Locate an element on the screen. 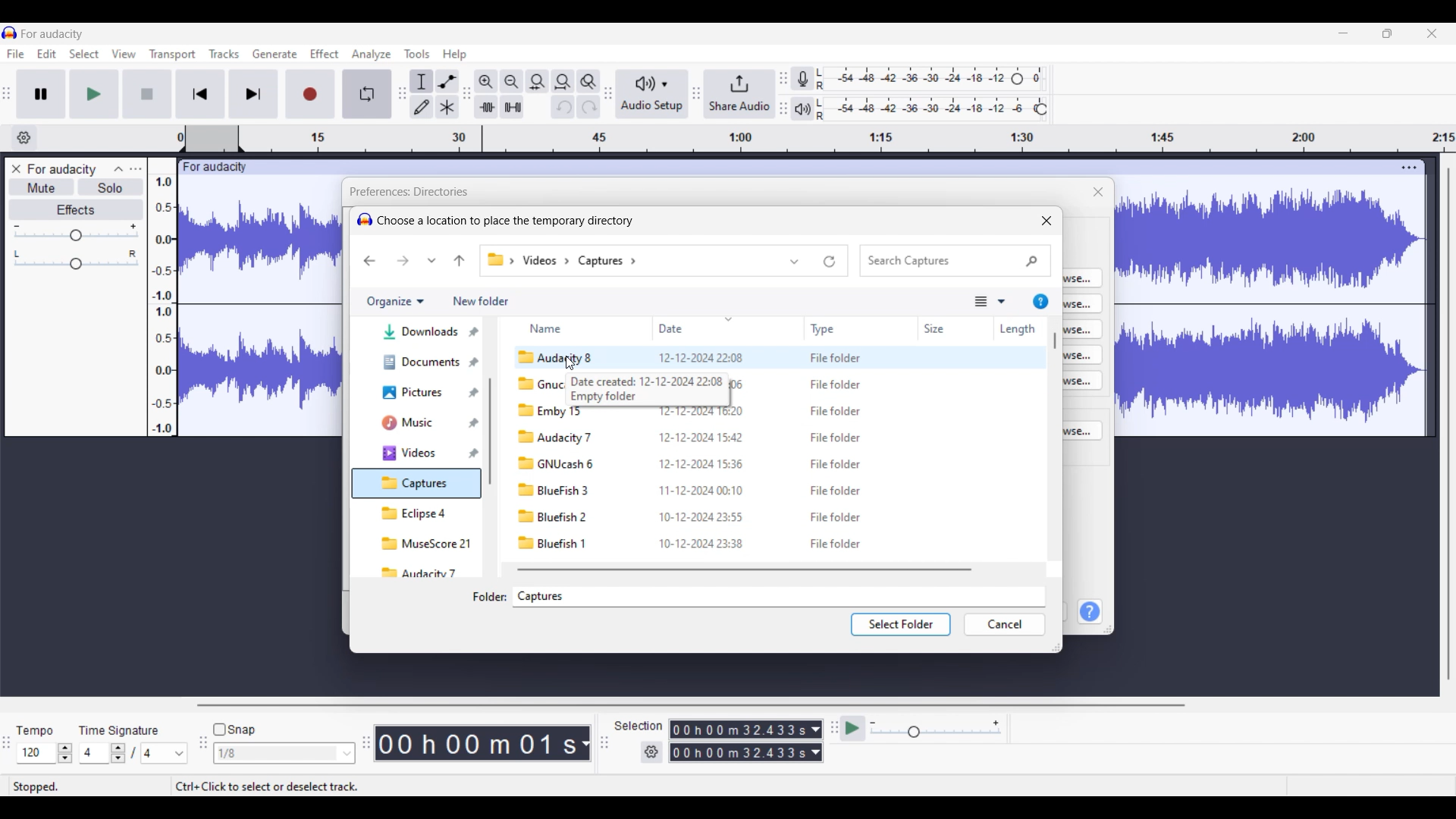  file folder is located at coordinates (836, 464).